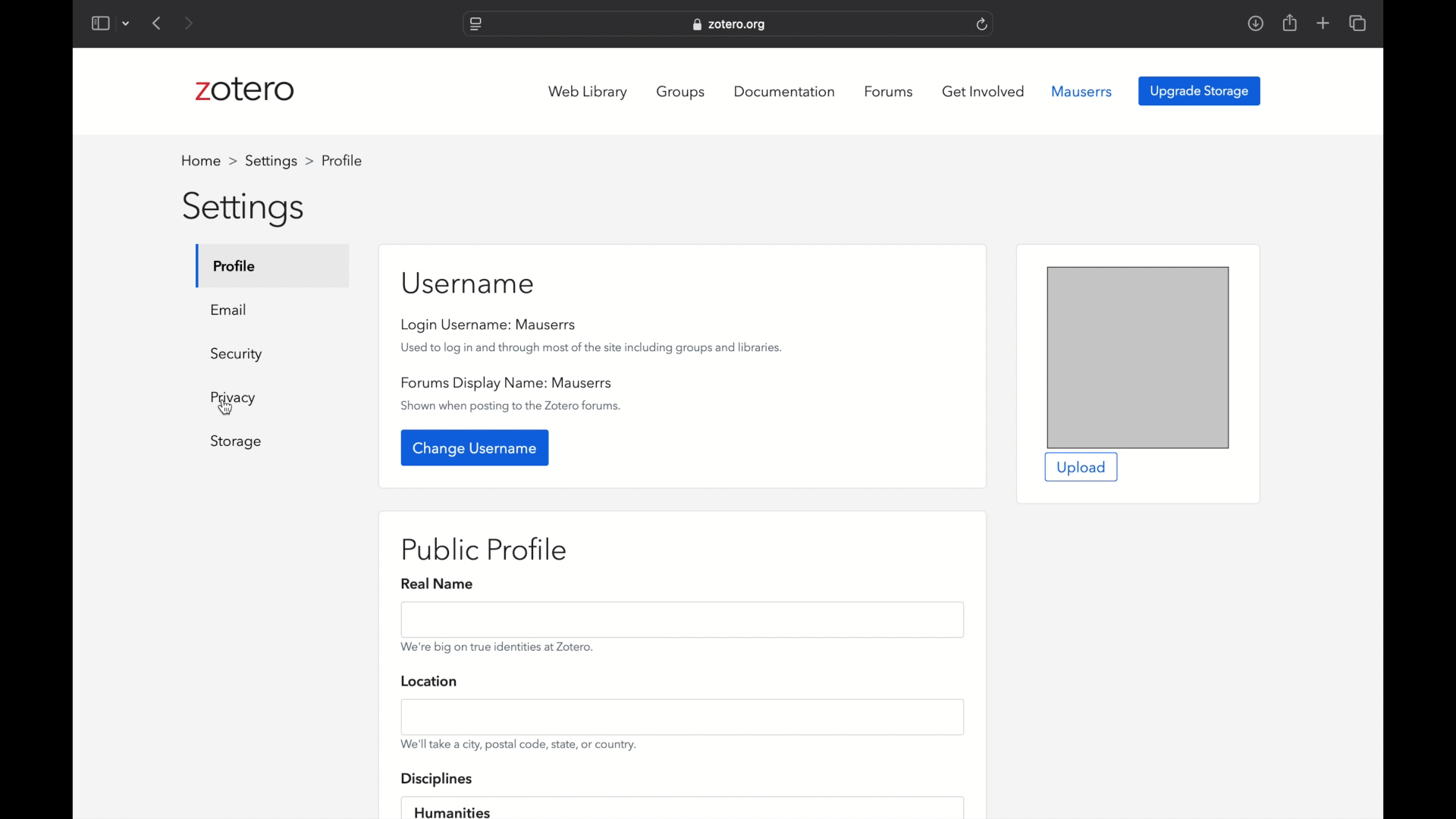 This screenshot has width=1456, height=819. What do you see at coordinates (1359, 23) in the screenshot?
I see `show tab overview` at bounding box center [1359, 23].